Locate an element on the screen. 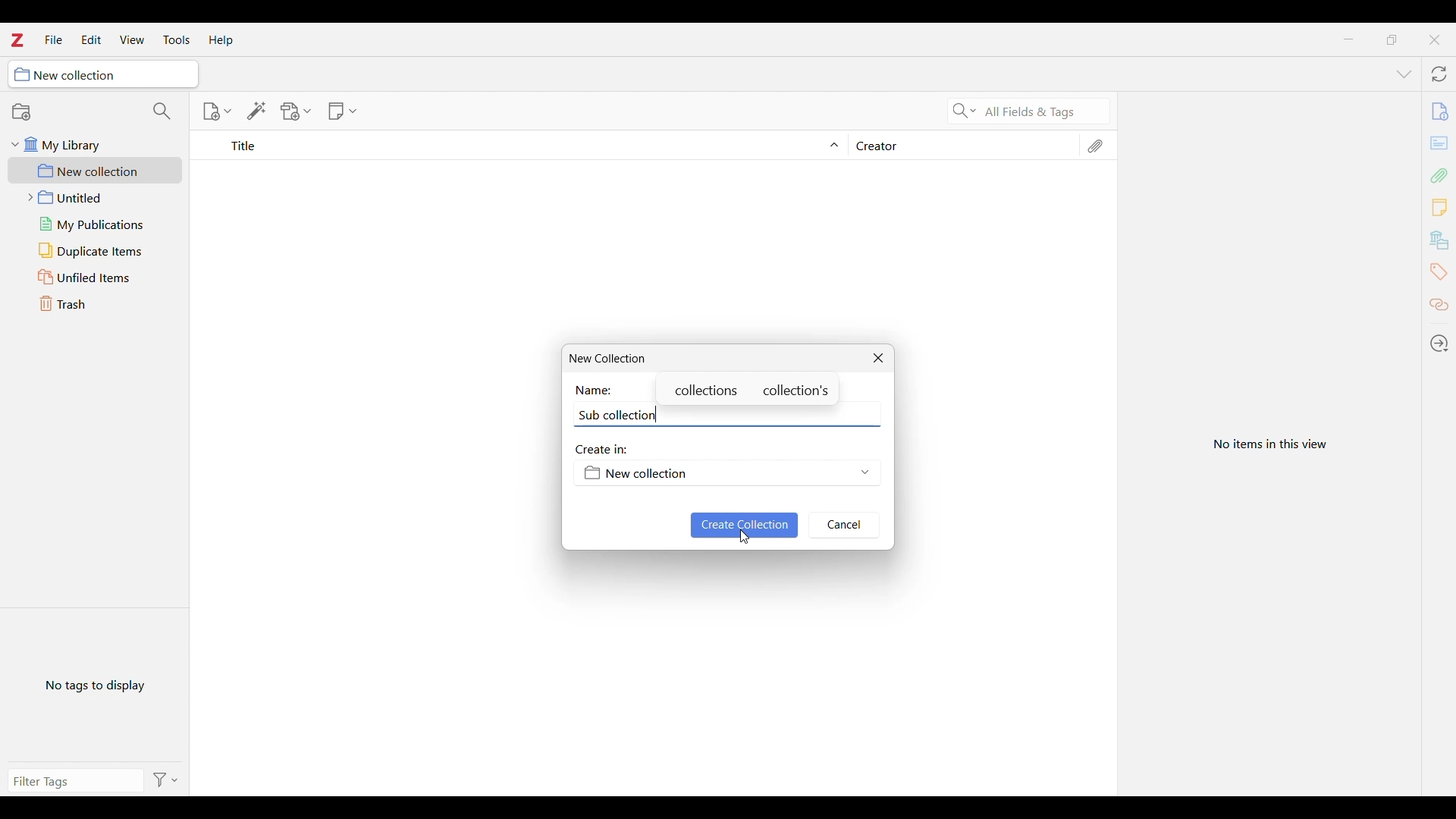  Software logo is located at coordinates (17, 40).